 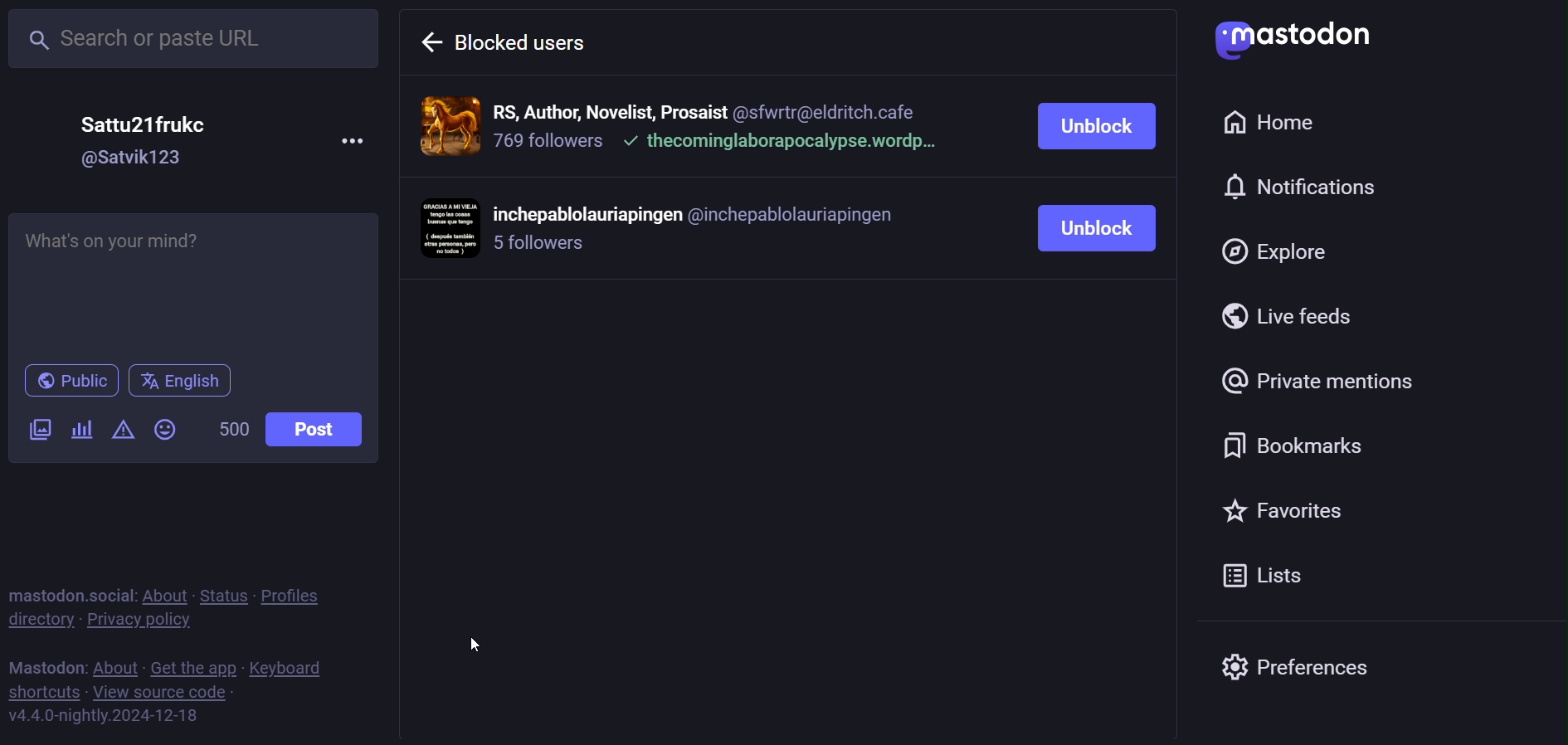 I want to click on public post, so click(x=67, y=380).